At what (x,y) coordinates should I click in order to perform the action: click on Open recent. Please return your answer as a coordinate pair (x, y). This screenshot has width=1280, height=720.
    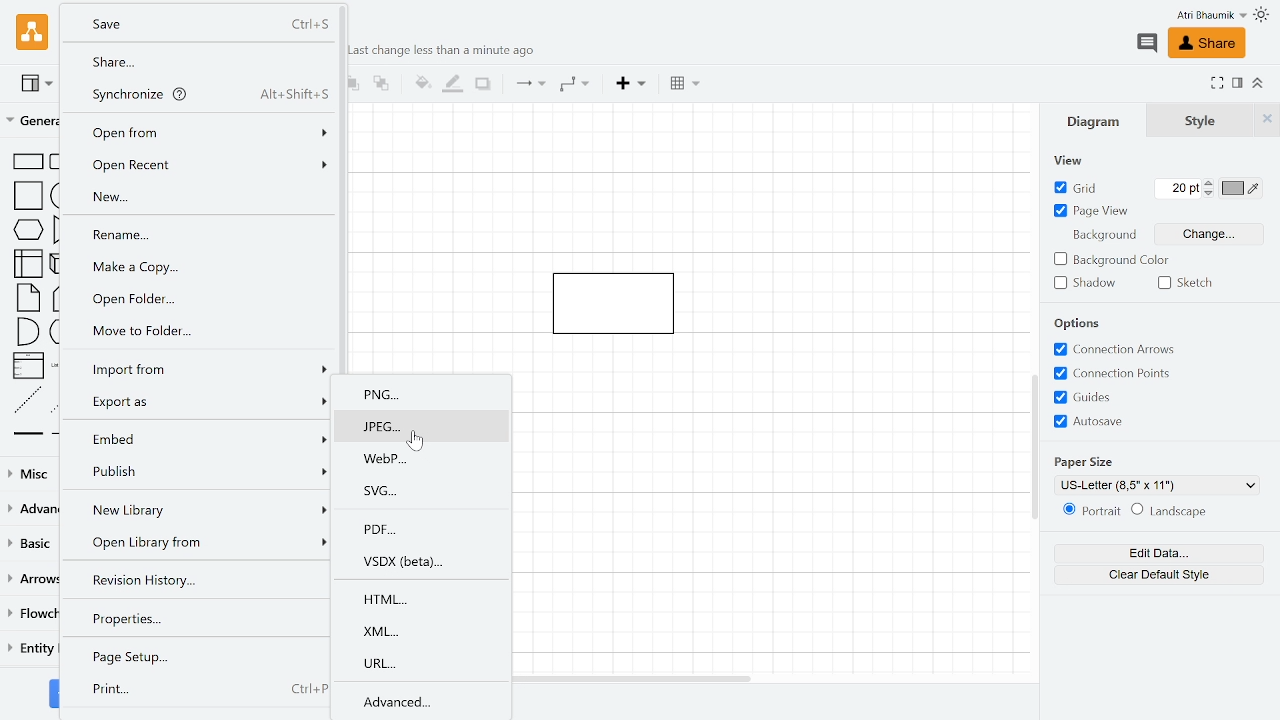
    Looking at the image, I should click on (200, 166).